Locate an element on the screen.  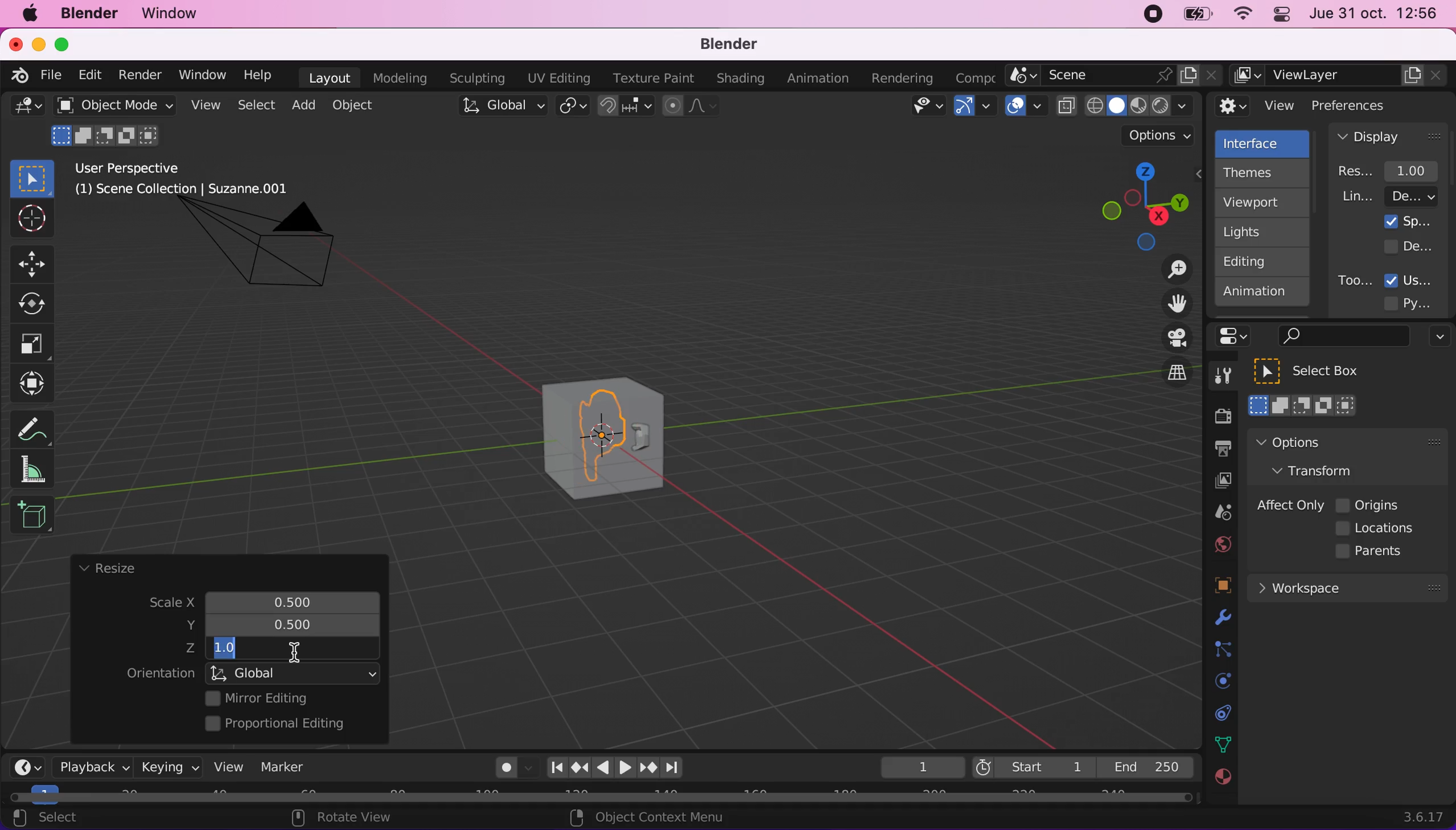
switch the current view is located at coordinates (1165, 383).